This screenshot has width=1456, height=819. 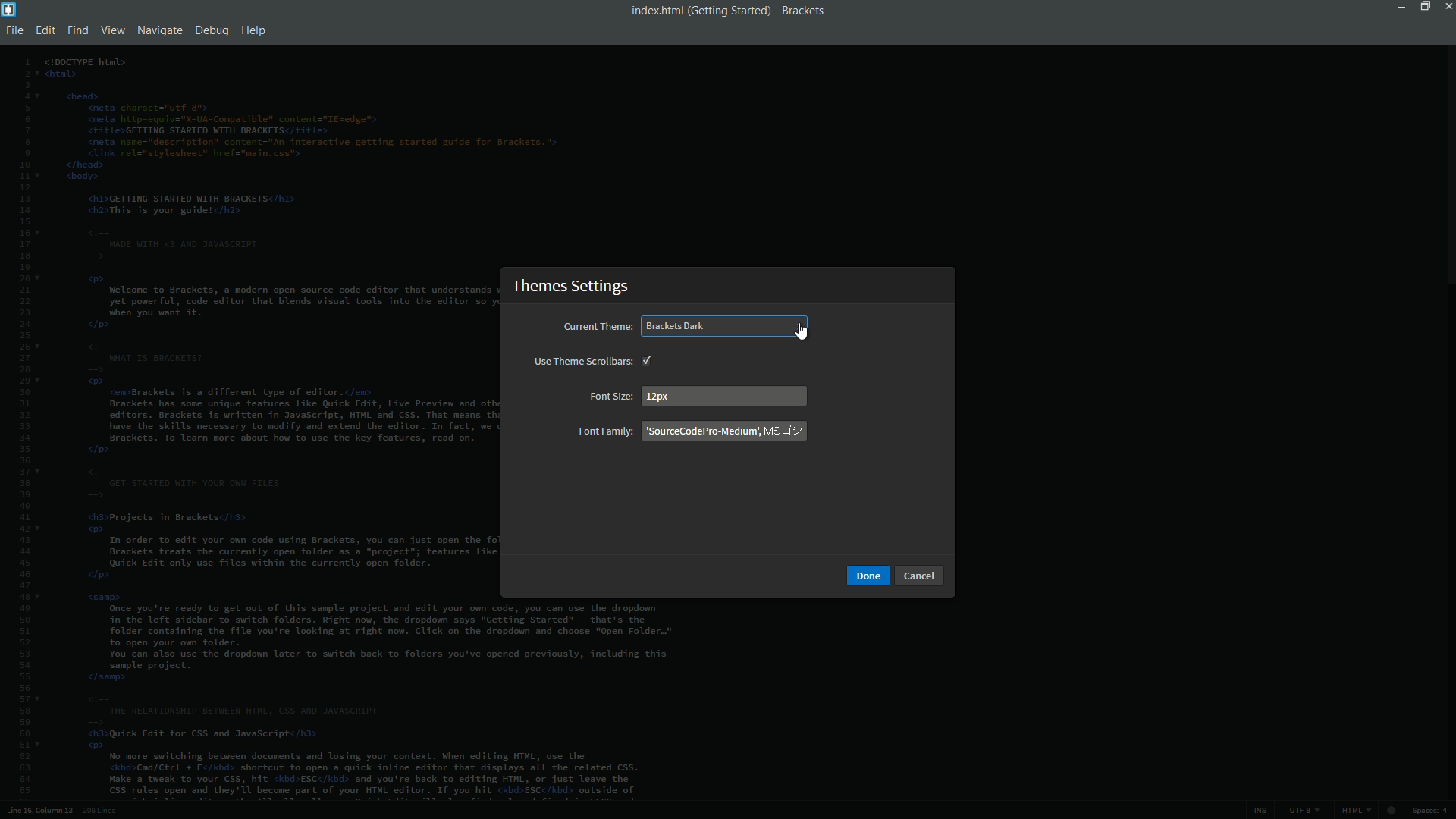 I want to click on file format, so click(x=1358, y=811).